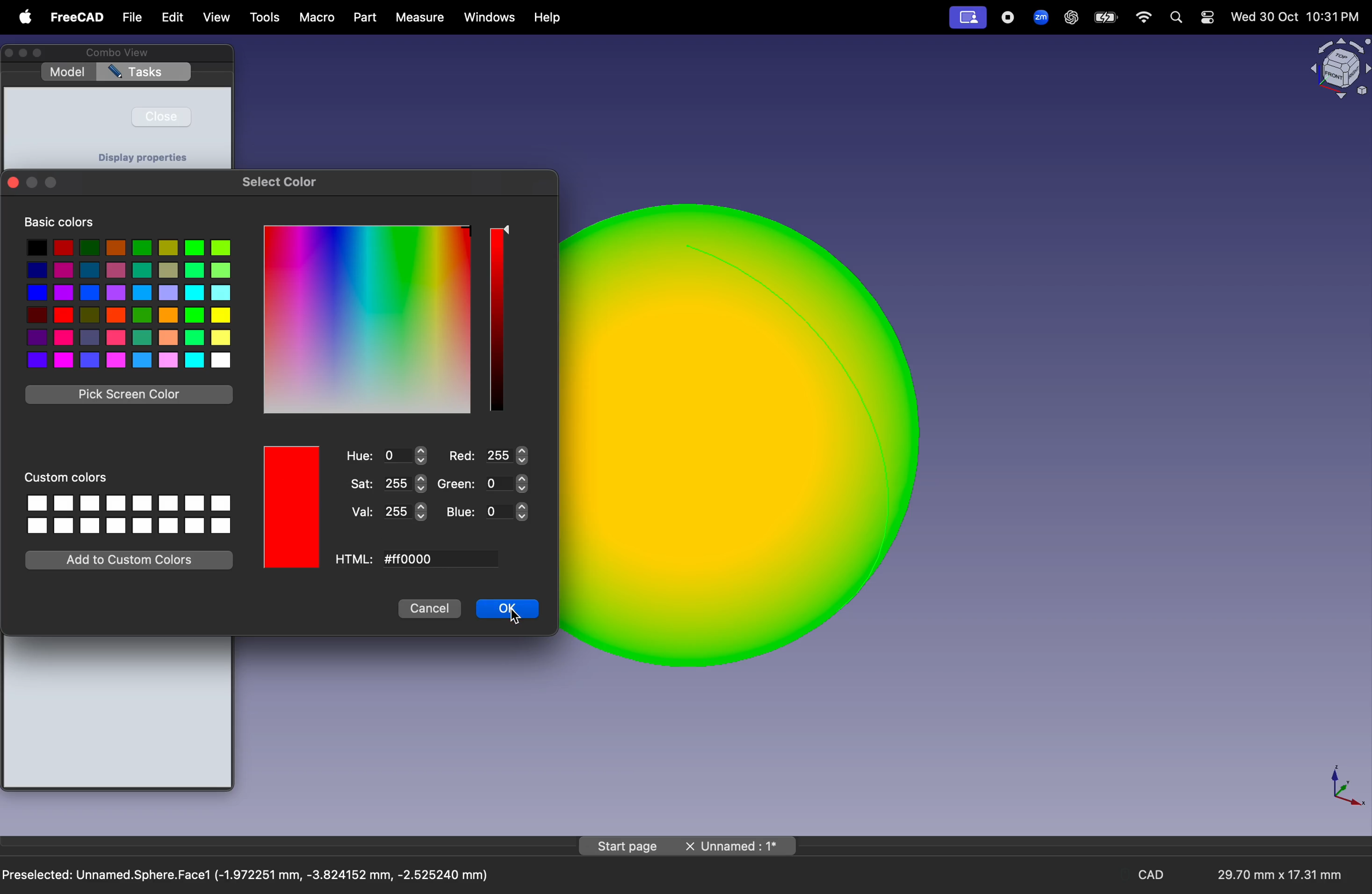 Image resolution: width=1372 pixels, height=894 pixels. Describe the element at coordinates (429, 609) in the screenshot. I see `cancel ` at that location.